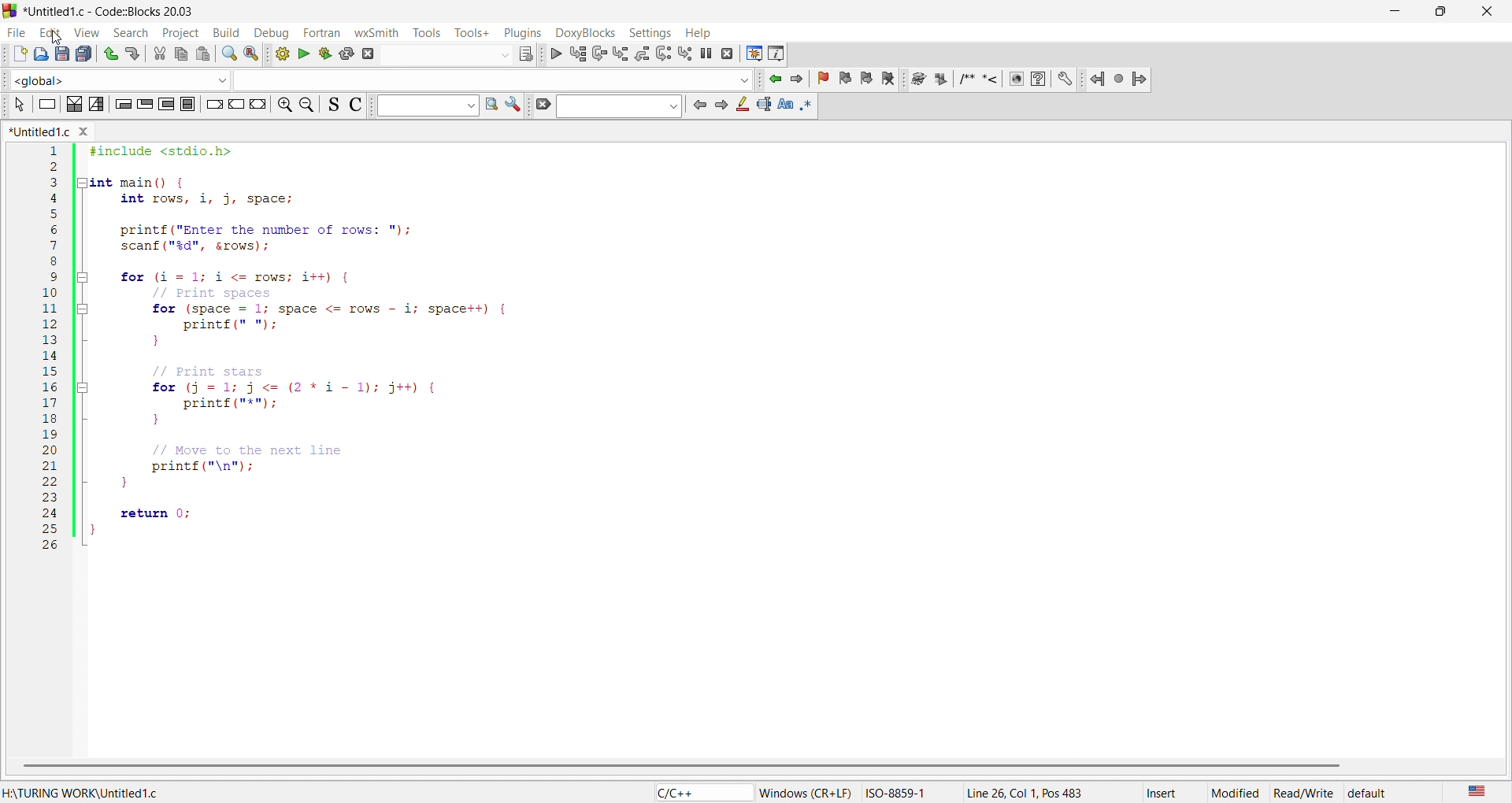 This screenshot has width=1512, height=803. What do you see at coordinates (376, 29) in the screenshot?
I see `wxsmith` at bounding box center [376, 29].